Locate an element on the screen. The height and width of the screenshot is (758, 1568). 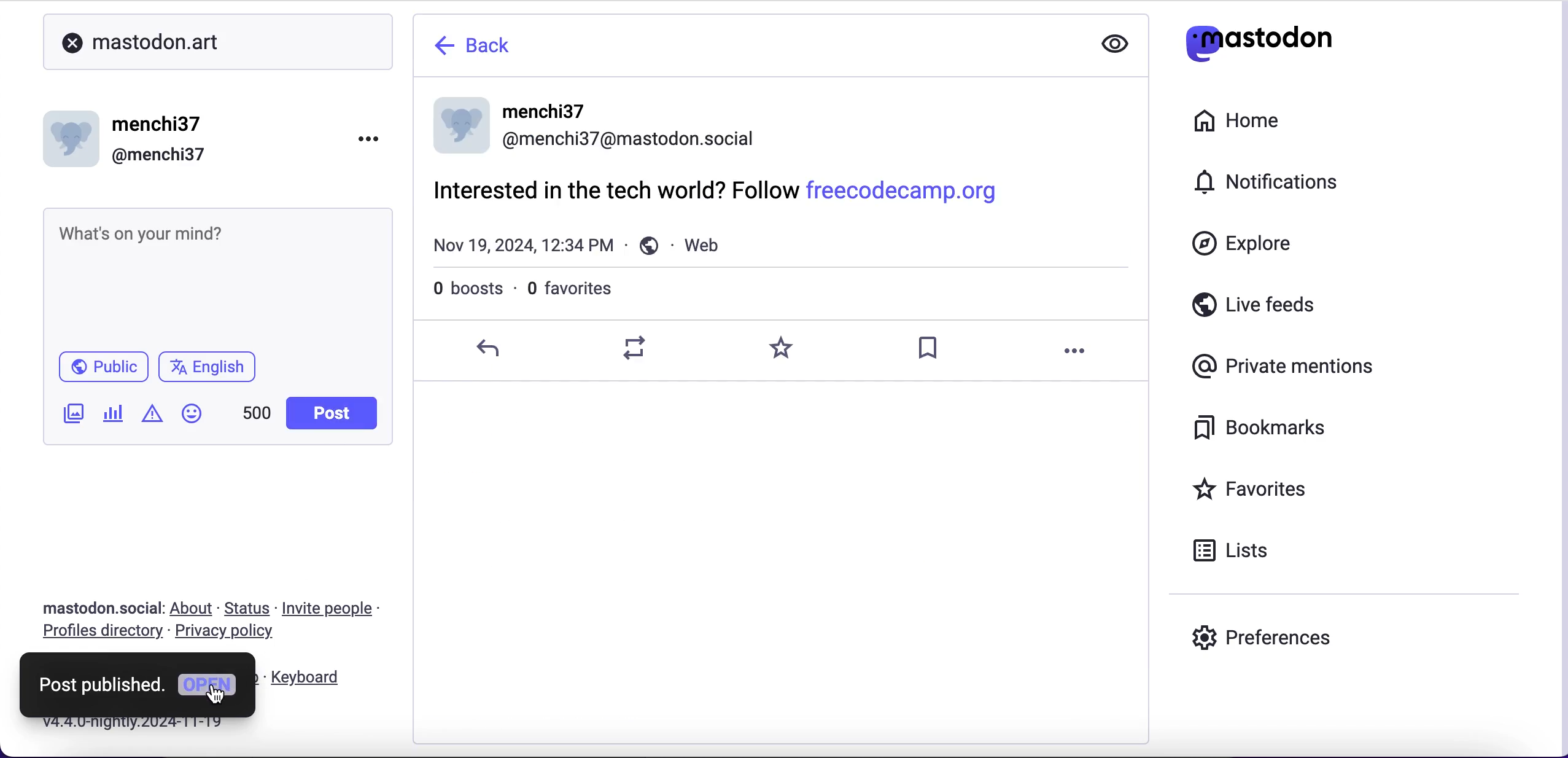
invite people is located at coordinates (335, 608).